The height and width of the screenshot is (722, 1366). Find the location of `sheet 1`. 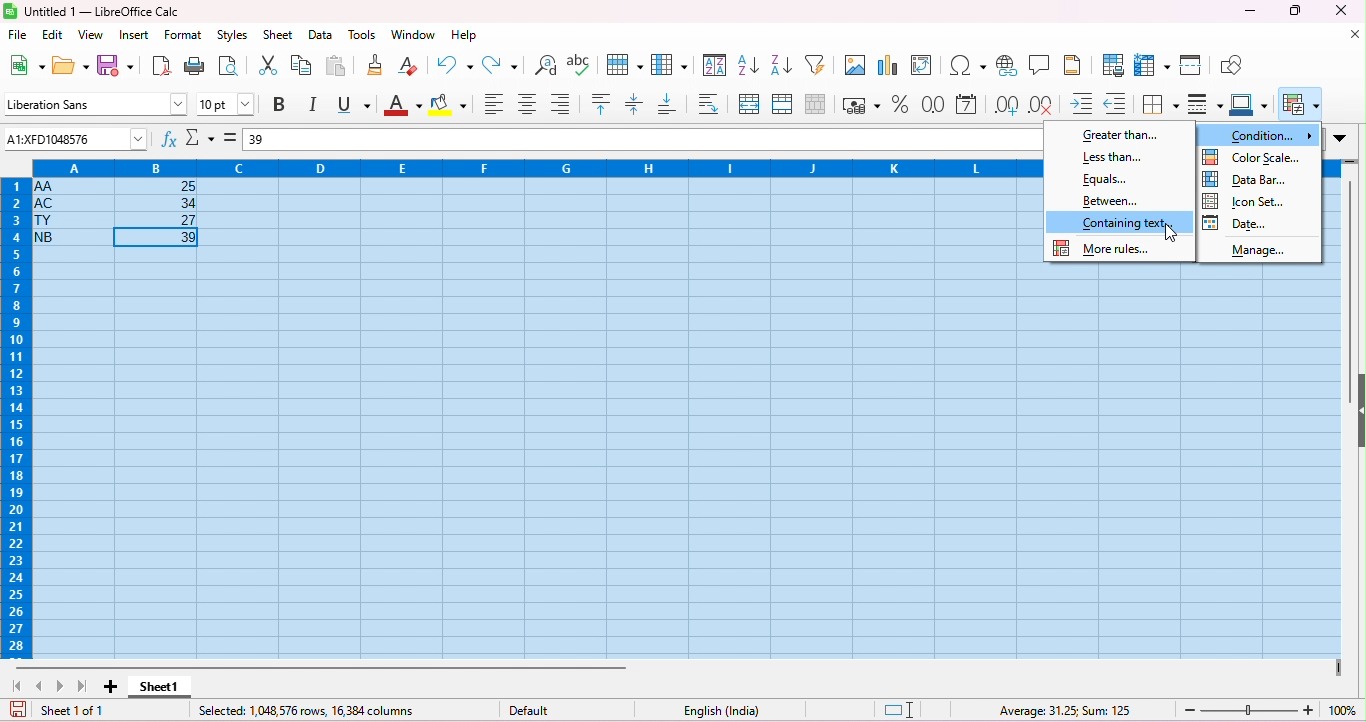

sheet 1 is located at coordinates (163, 689).